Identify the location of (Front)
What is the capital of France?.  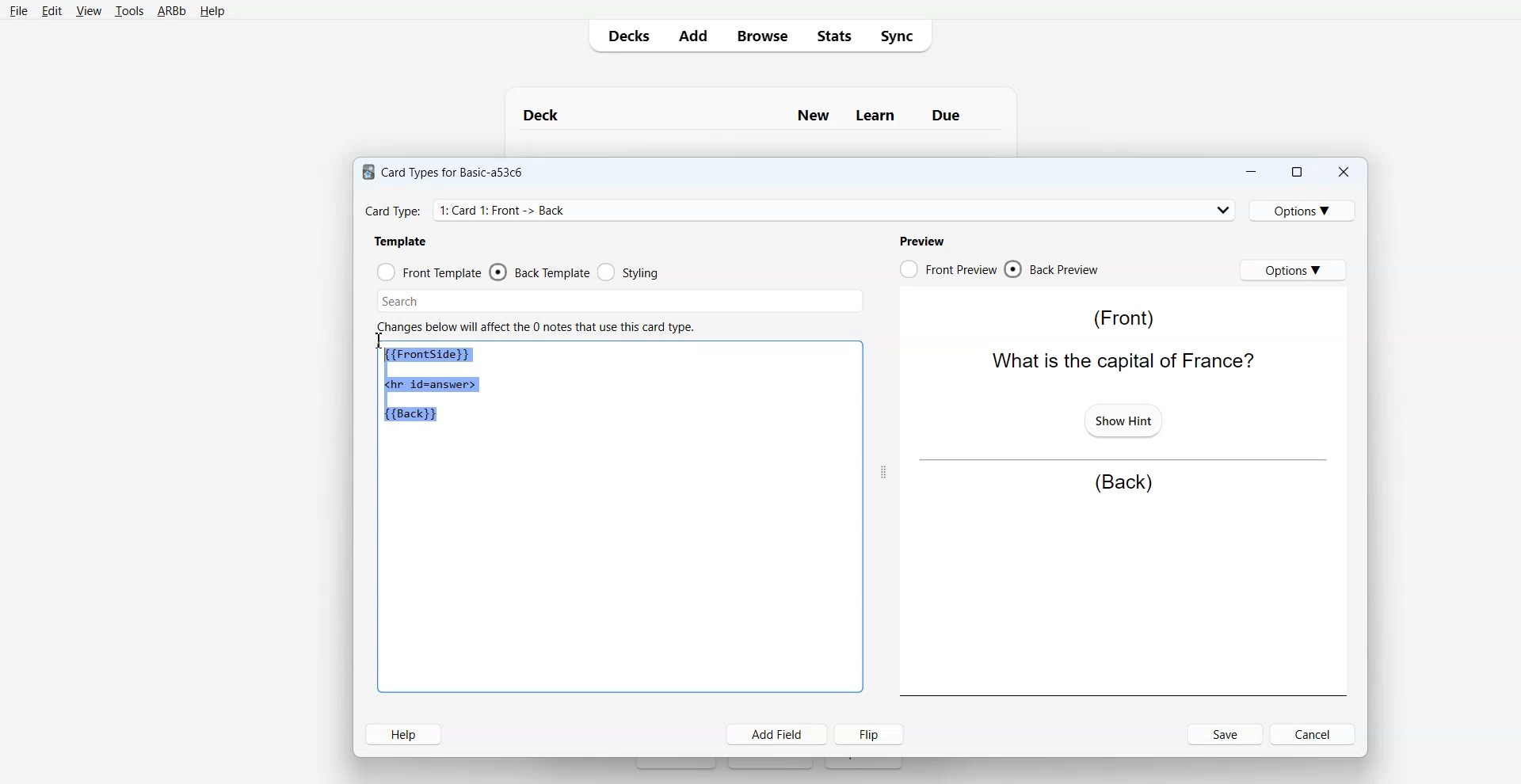
(1119, 340).